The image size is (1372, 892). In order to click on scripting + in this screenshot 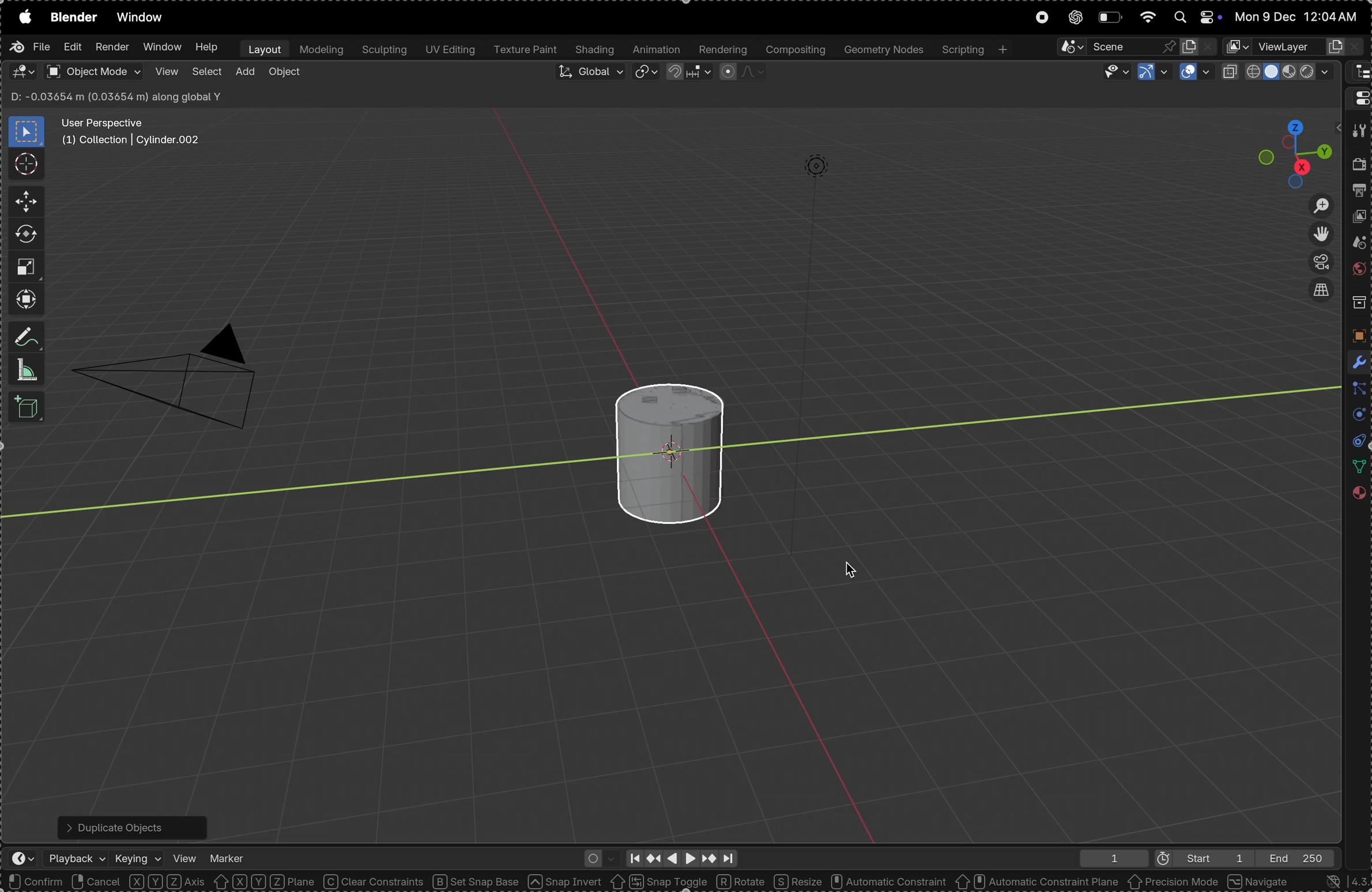, I will do `click(974, 48)`.